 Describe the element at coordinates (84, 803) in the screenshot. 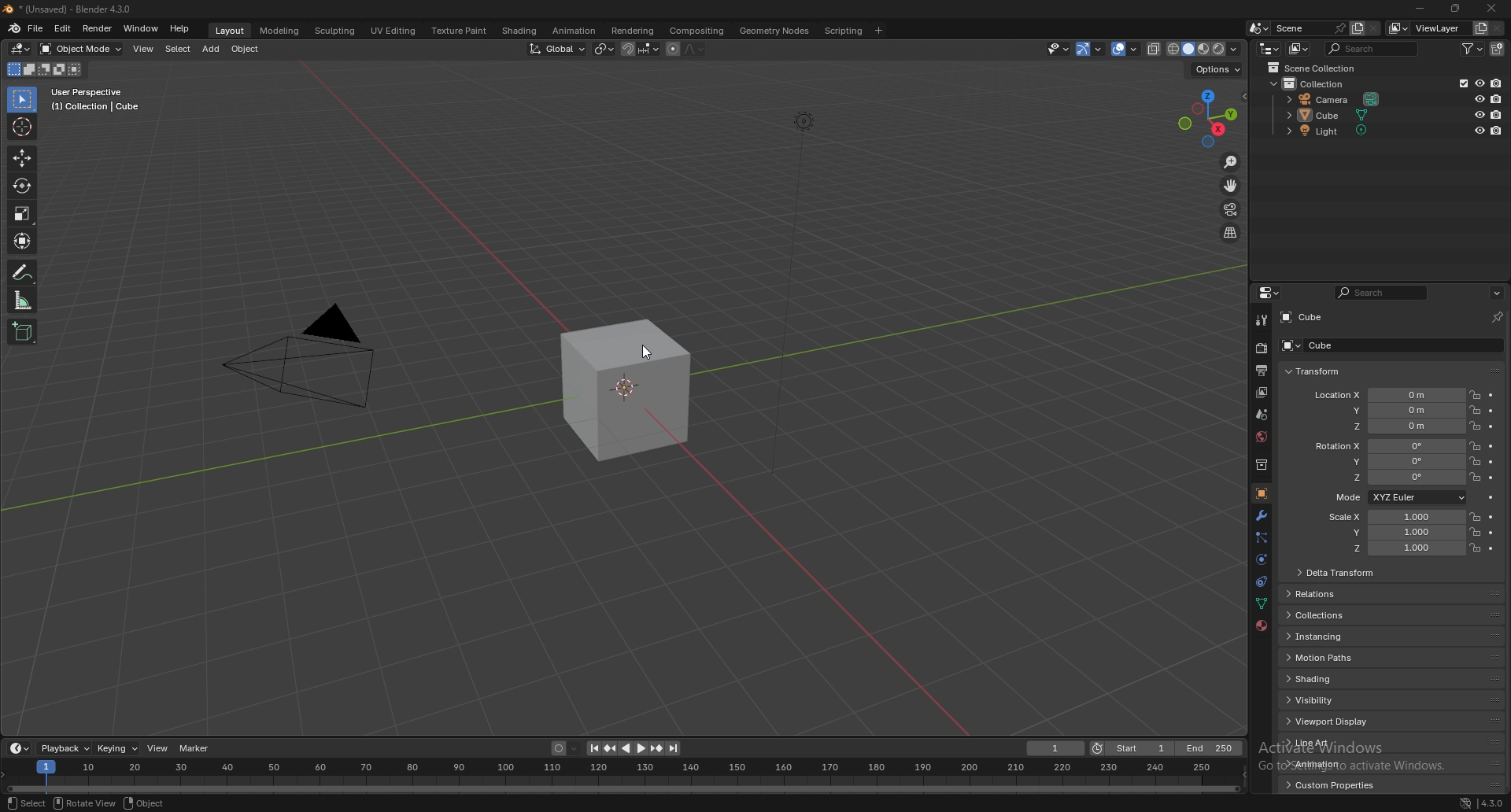

I see `rotate view` at that location.